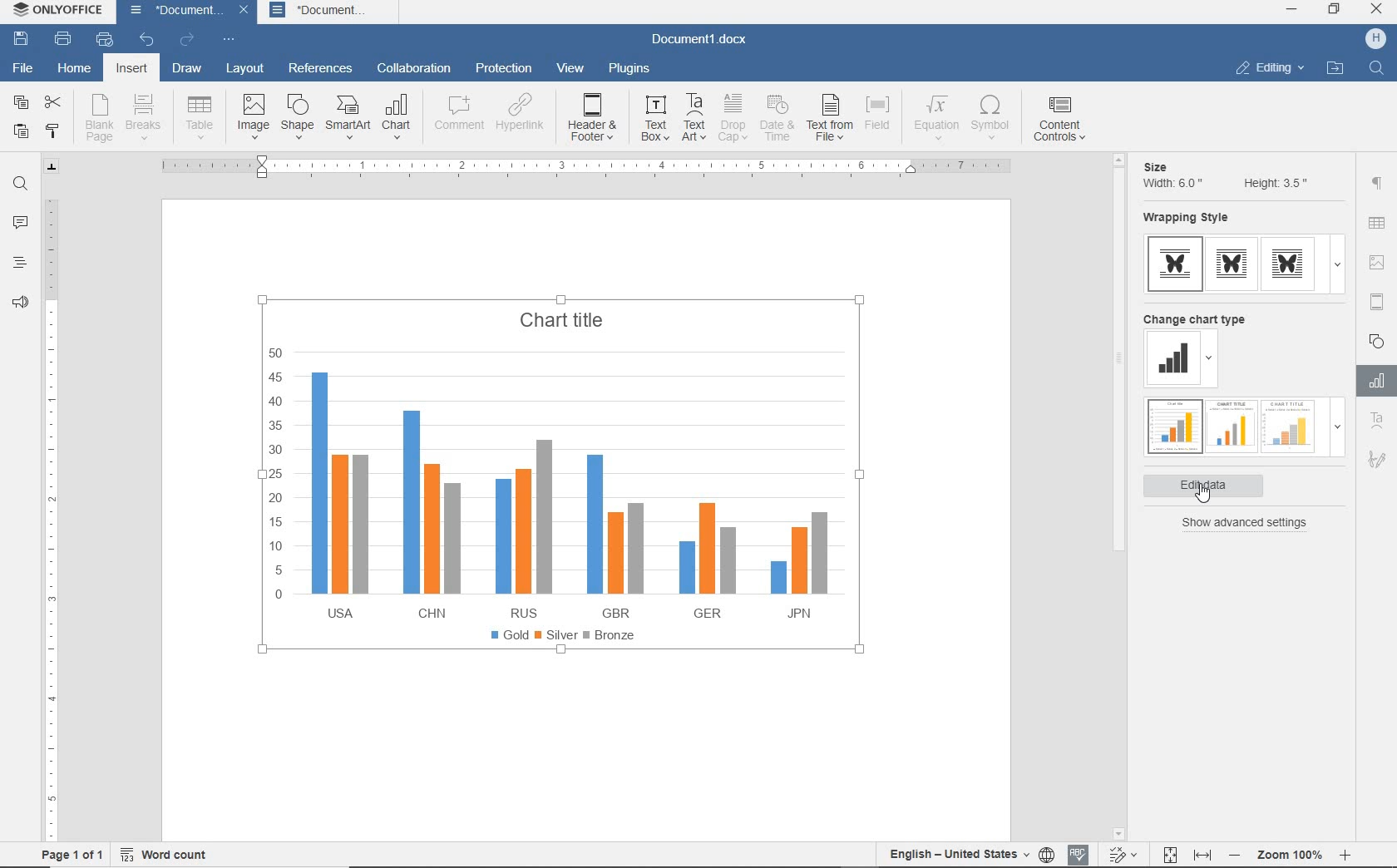 This screenshot has height=868, width=1397. What do you see at coordinates (54, 131) in the screenshot?
I see `copy style` at bounding box center [54, 131].